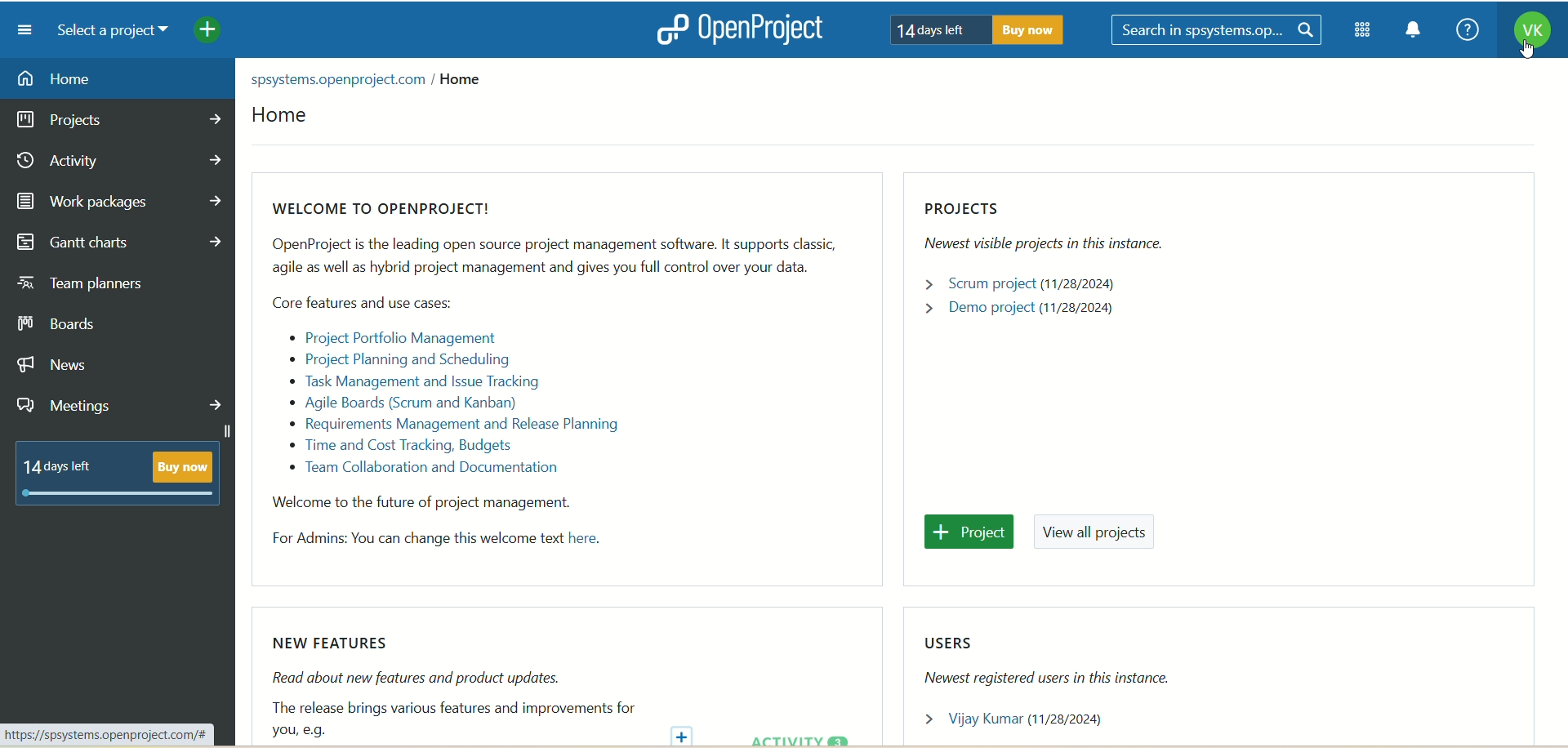 This screenshot has height=748, width=1568. What do you see at coordinates (446, 688) in the screenshot?
I see `text` at bounding box center [446, 688].